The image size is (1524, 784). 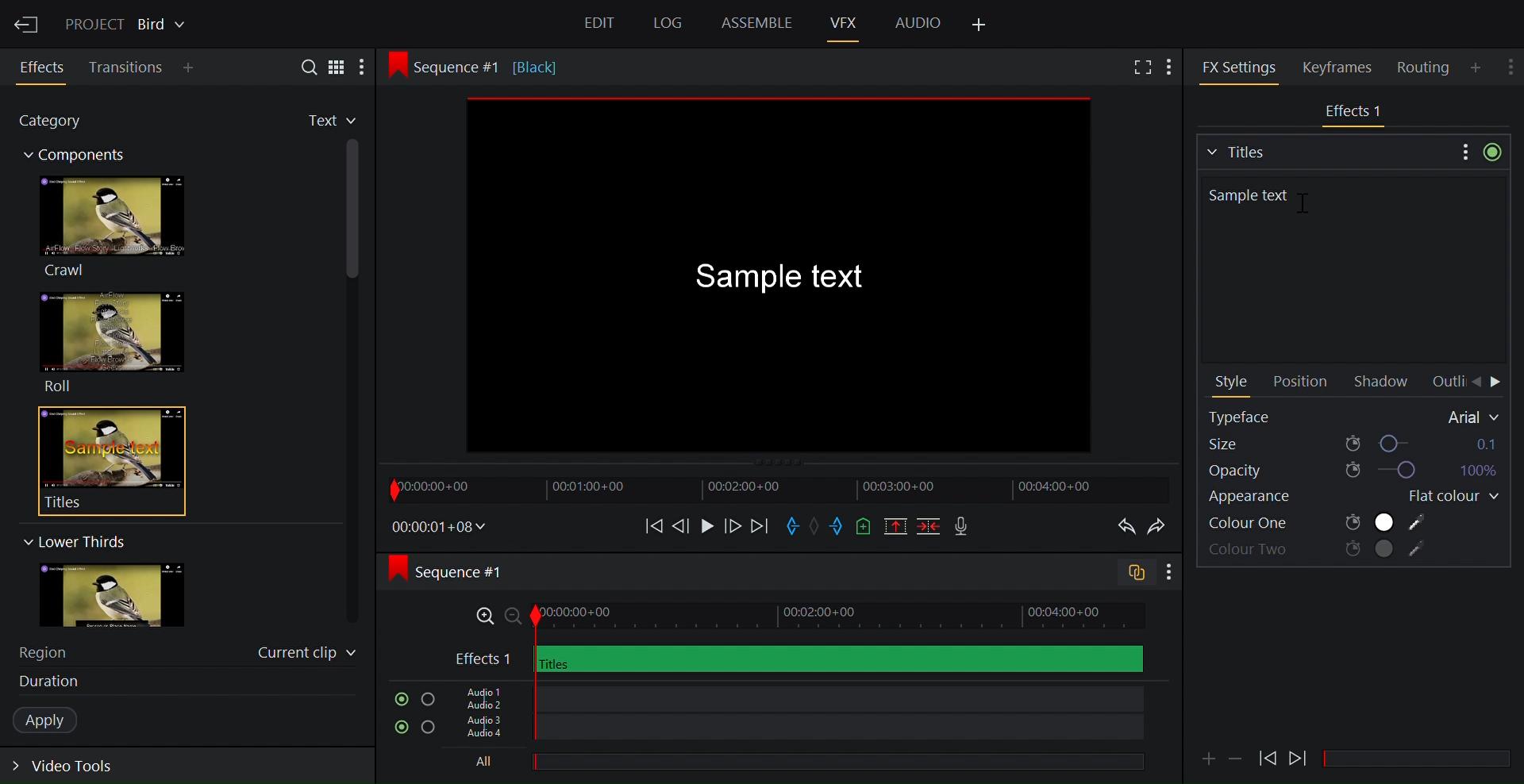 What do you see at coordinates (307, 655) in the screenshot?
I see `Current clip` at bounding box center [307, 655].